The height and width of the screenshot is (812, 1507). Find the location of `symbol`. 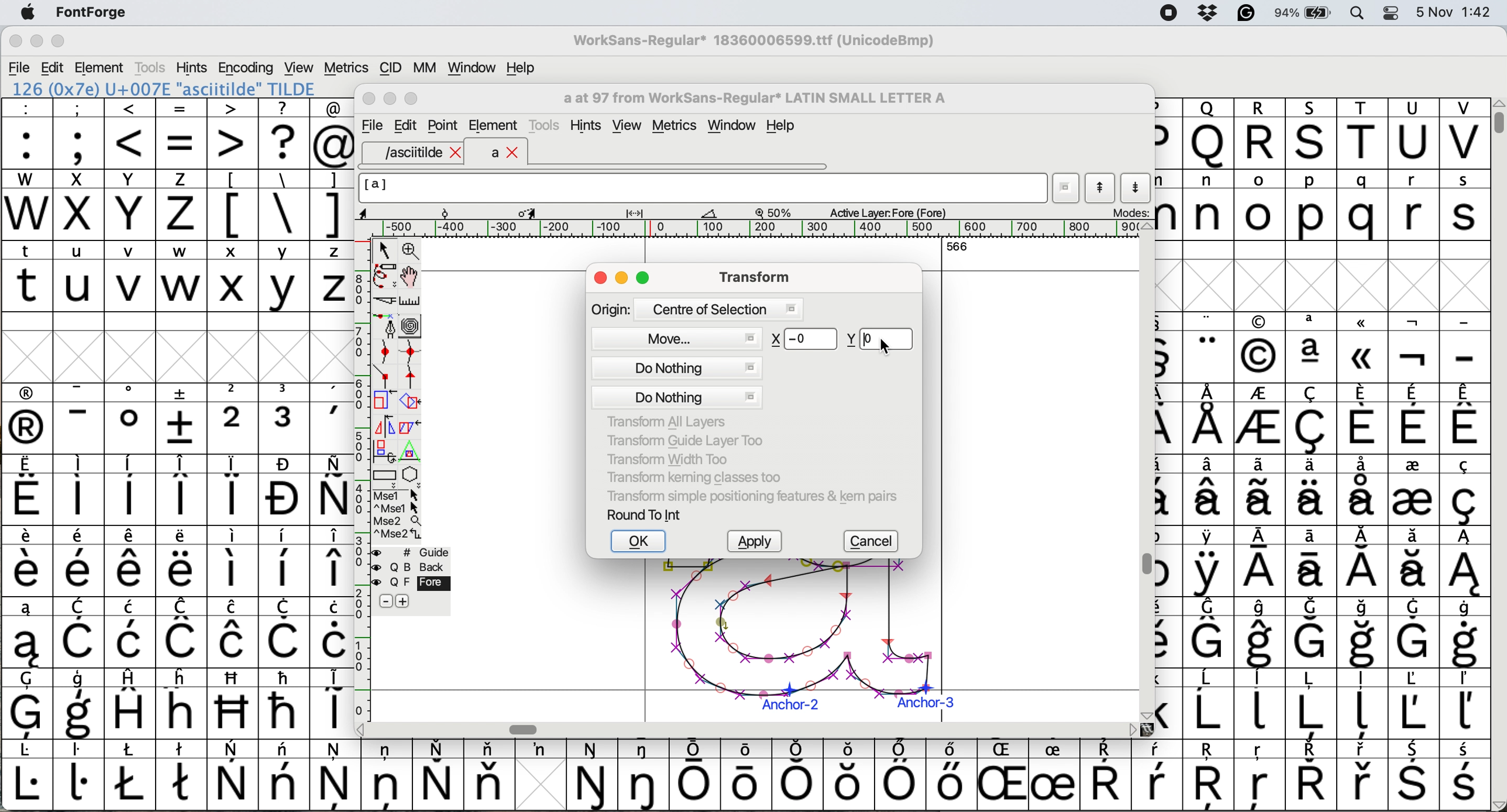

symbol is located at coordinates (1209, 348).